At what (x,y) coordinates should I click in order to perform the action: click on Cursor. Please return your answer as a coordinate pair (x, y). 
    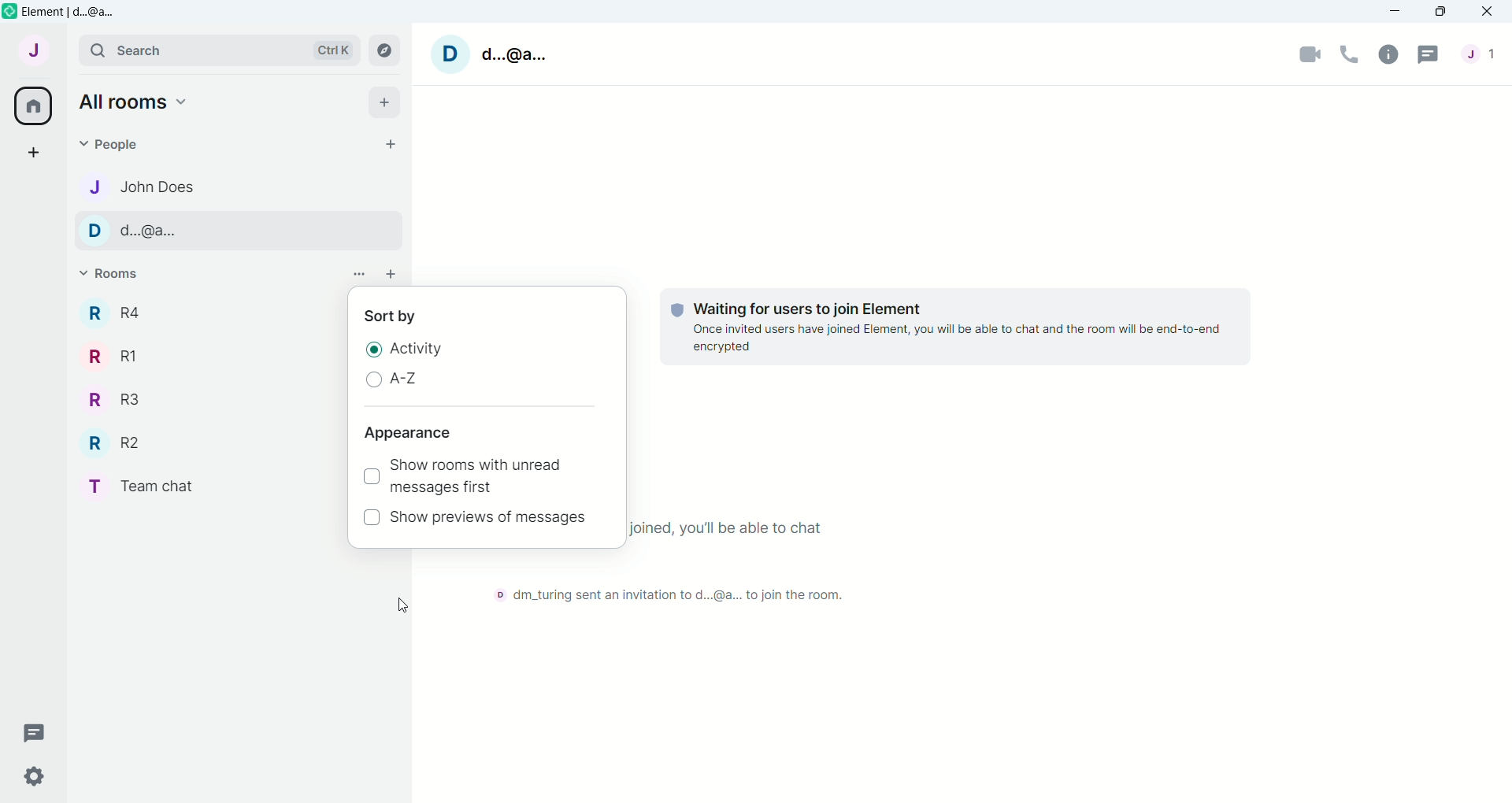
    Looking at the image, I should click on (403, 605).